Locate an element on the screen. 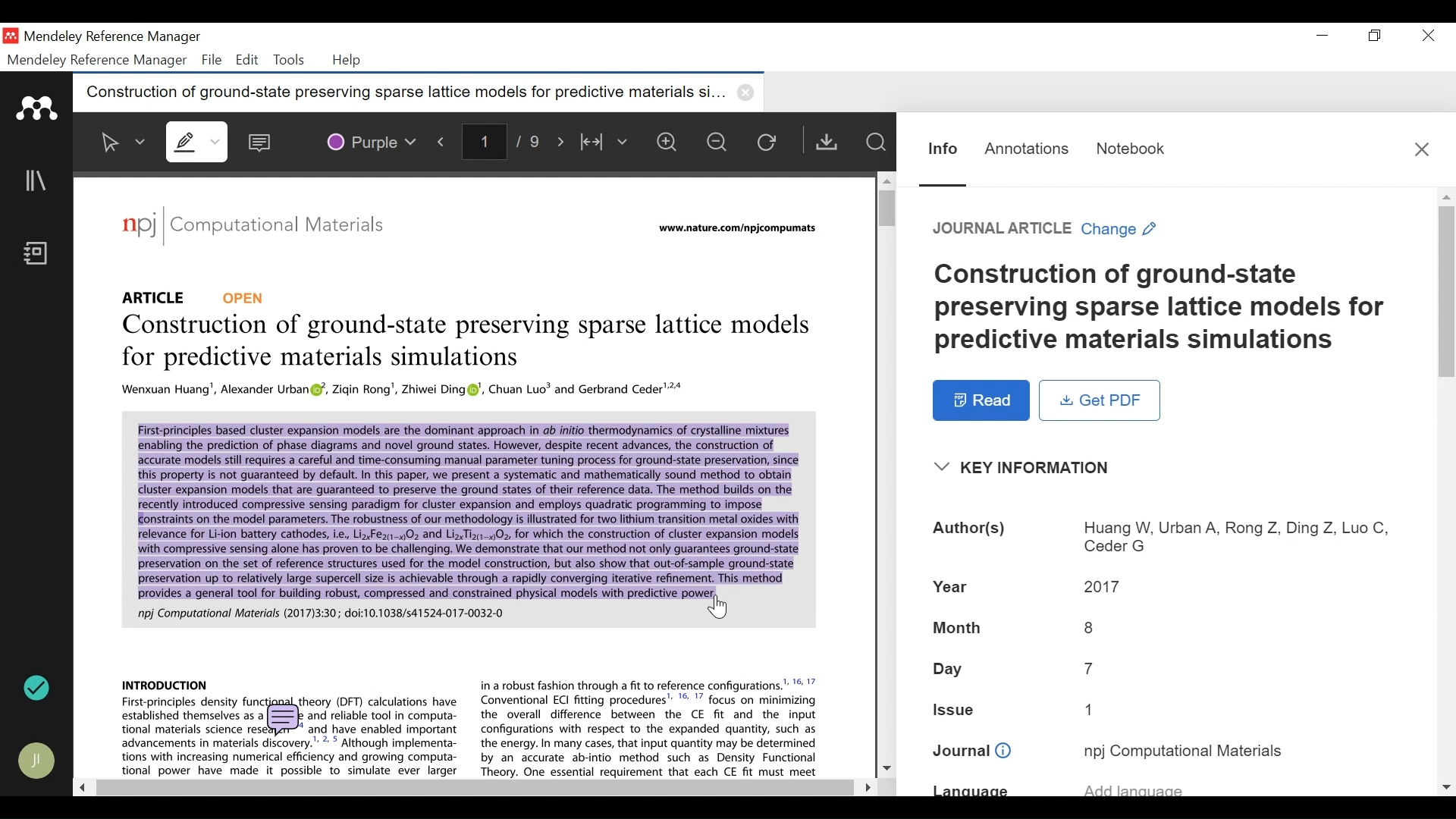  Avatar is located at coordinates (38, 761).